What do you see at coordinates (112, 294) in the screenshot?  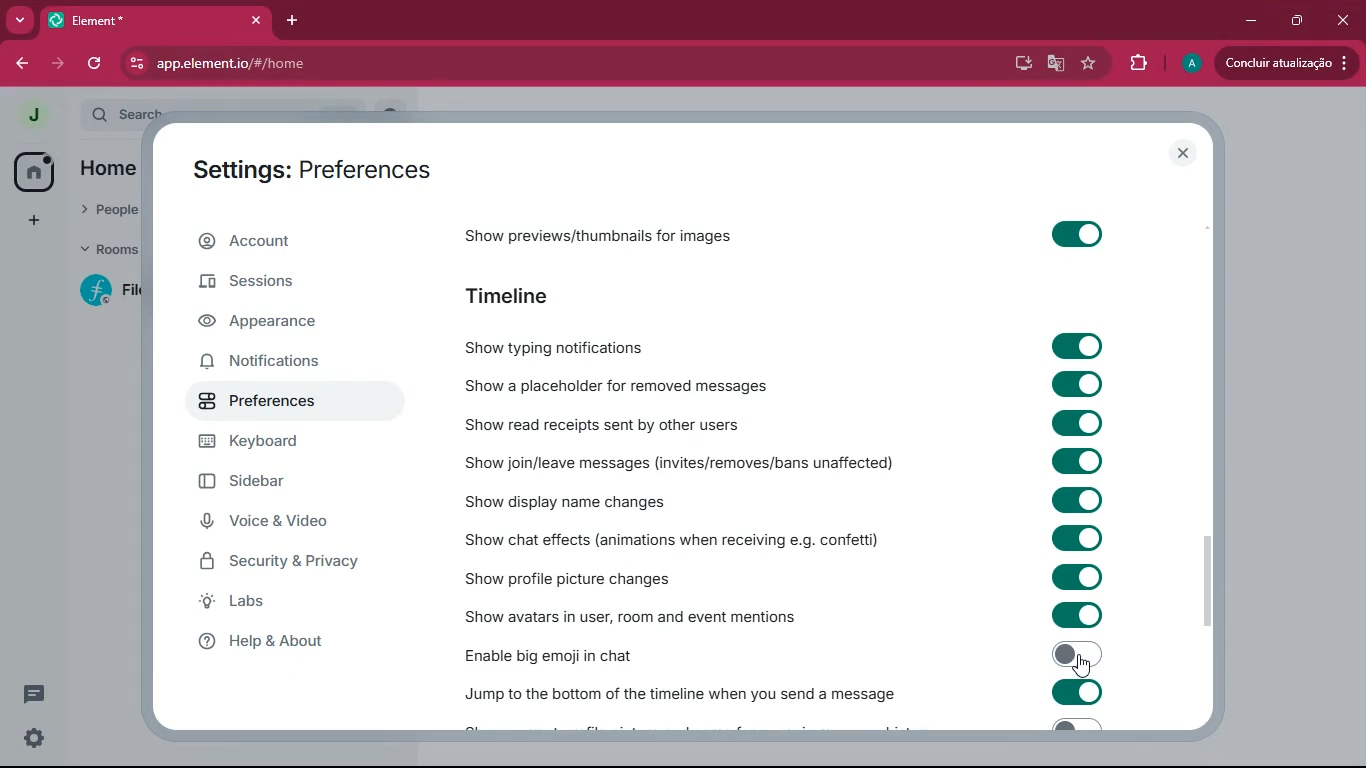 I see `f file` at bounding box center [112, 294].